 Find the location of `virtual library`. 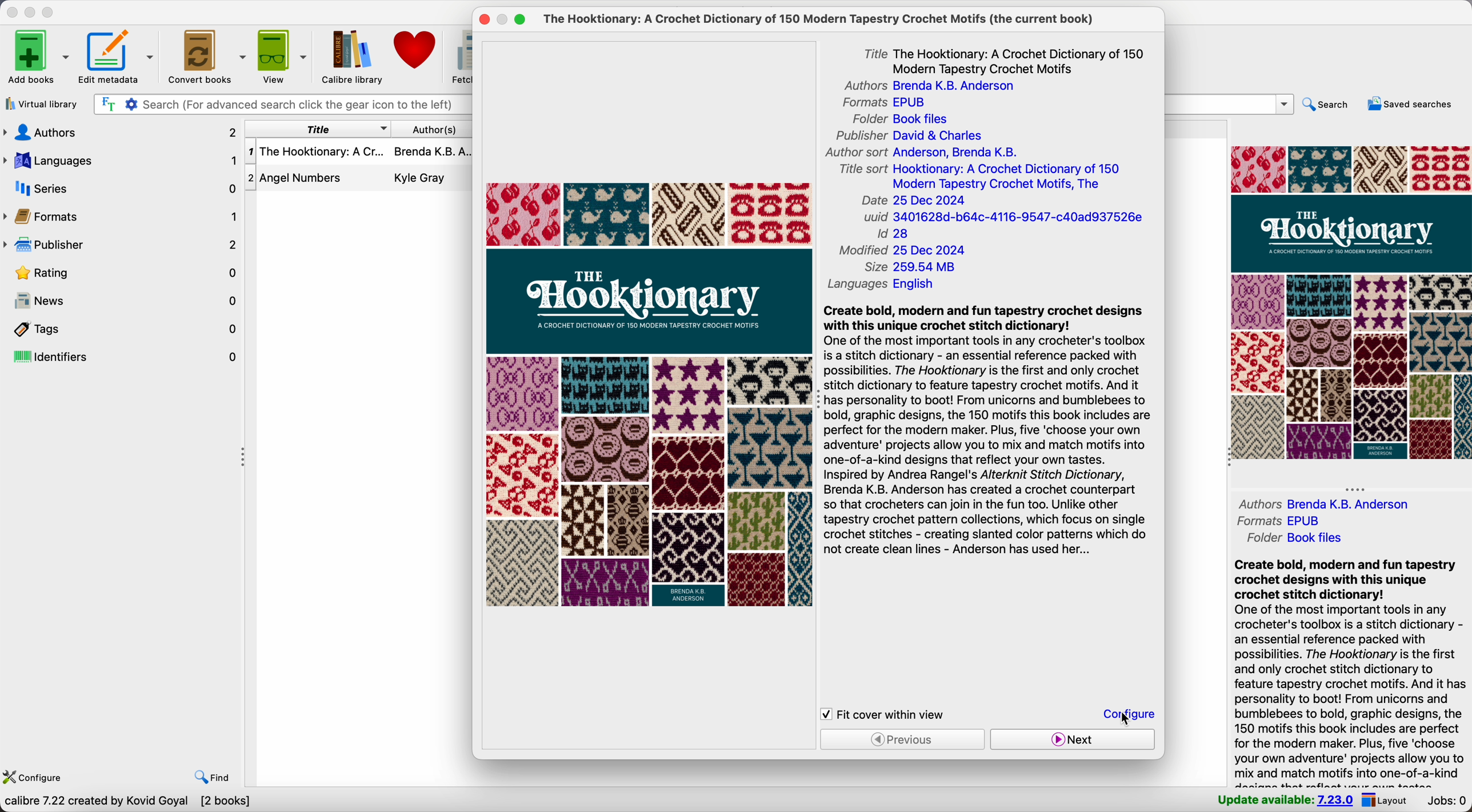

virtual library is located at coordinates (41, 103).